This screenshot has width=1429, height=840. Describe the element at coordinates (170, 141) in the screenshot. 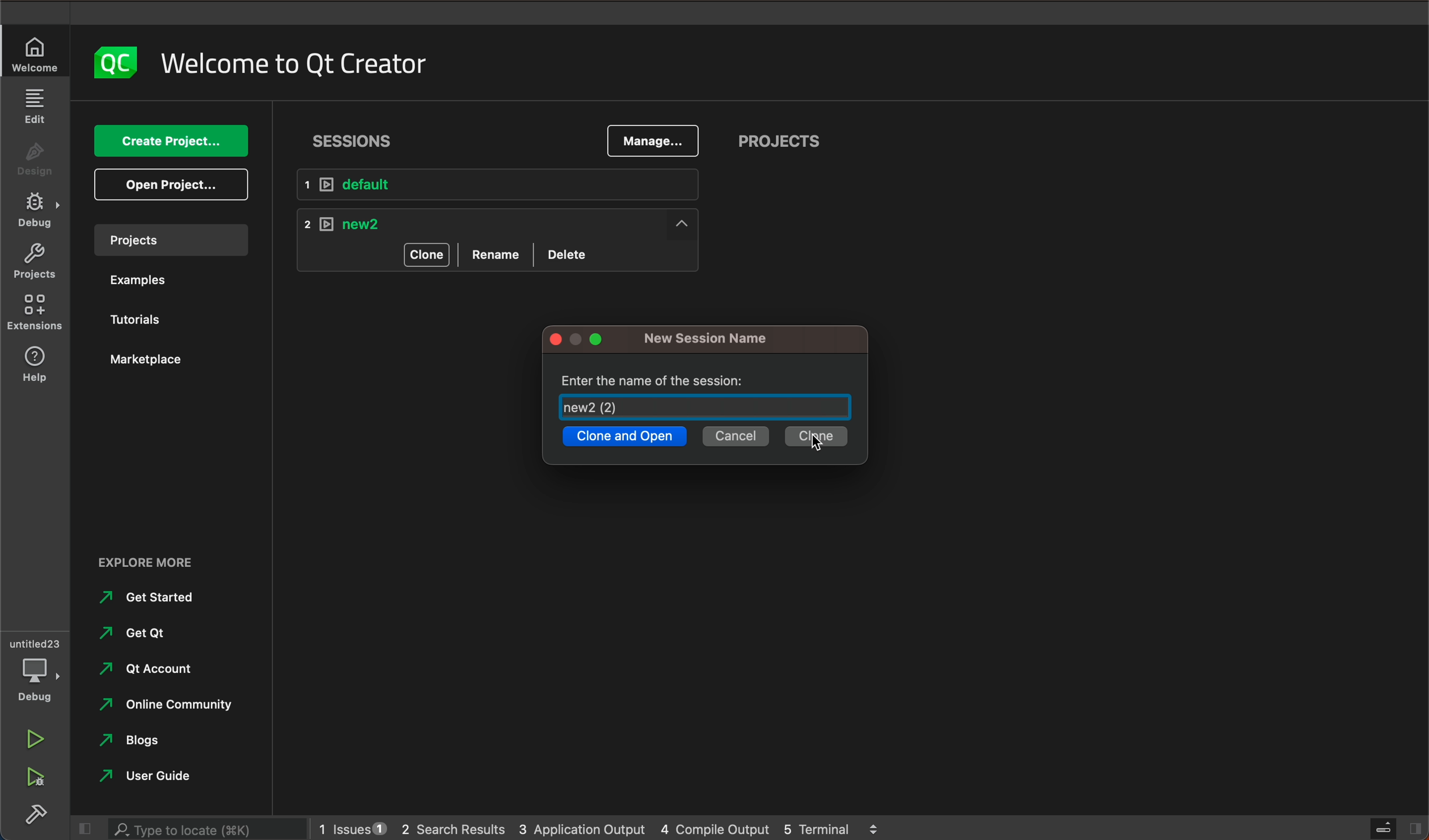

I see `create project` at that location.